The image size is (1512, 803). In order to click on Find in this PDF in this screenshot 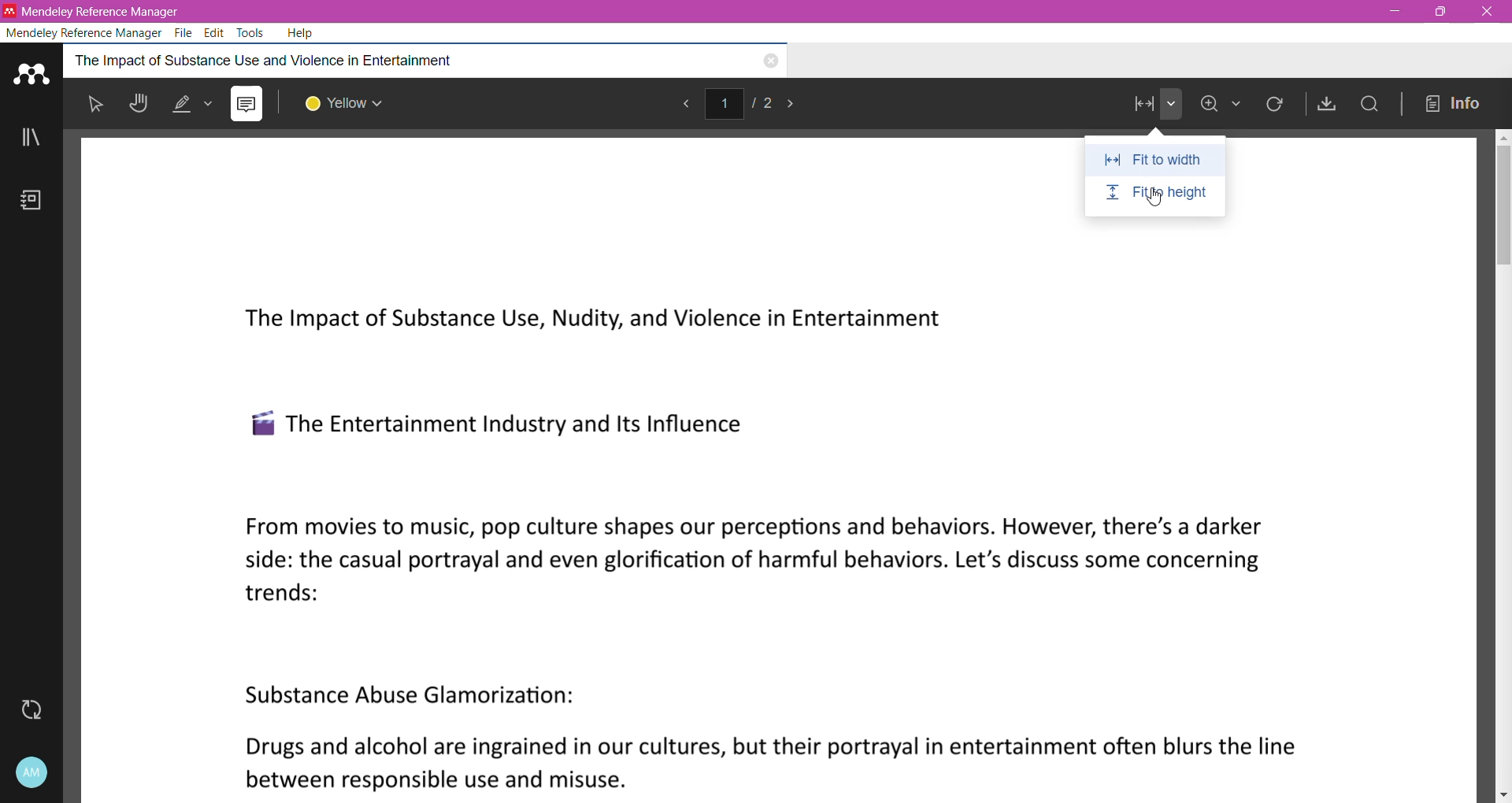, I will do `click(1368, 105)`.